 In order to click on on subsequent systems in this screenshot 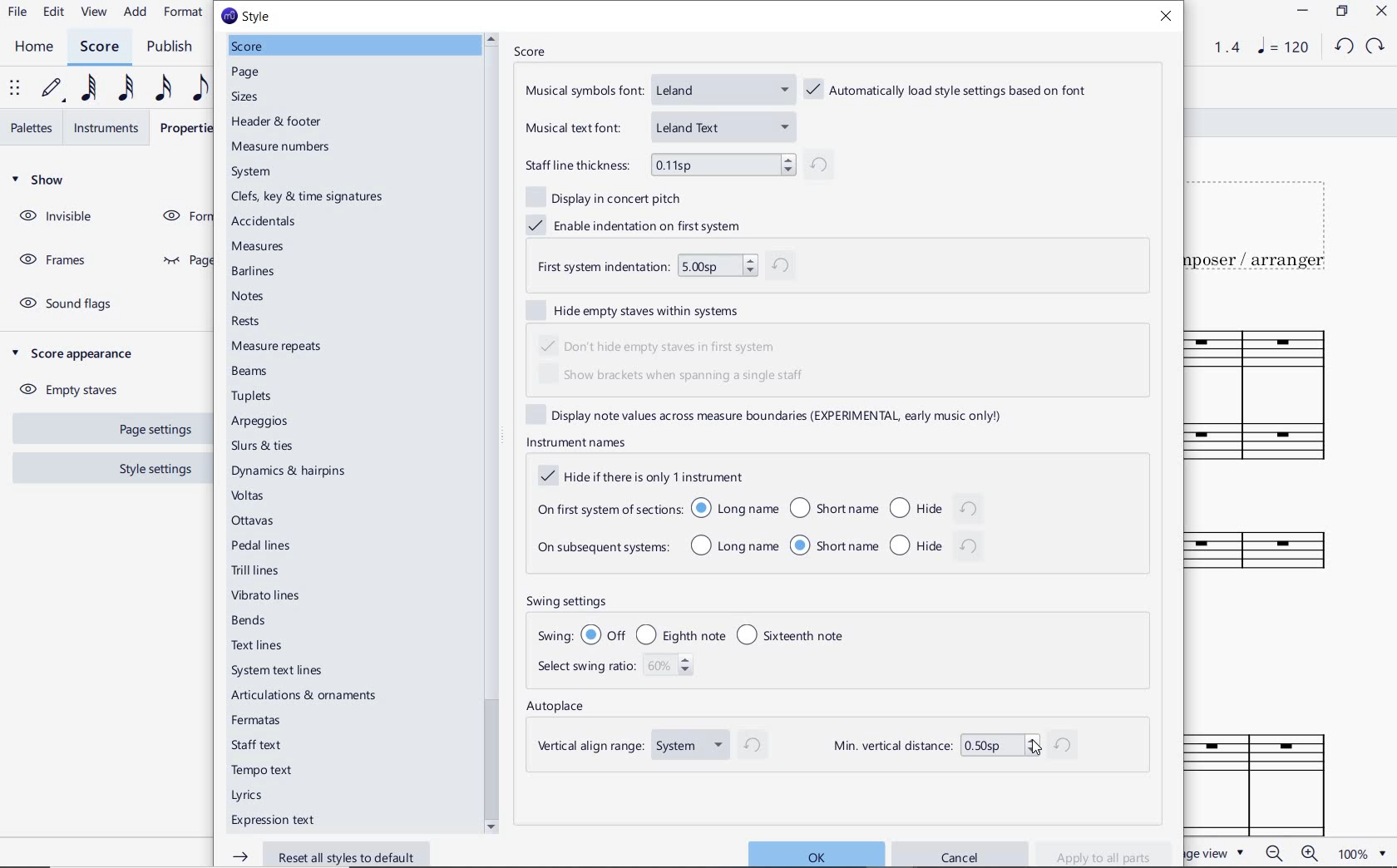, I will do `click(601, 550)`.